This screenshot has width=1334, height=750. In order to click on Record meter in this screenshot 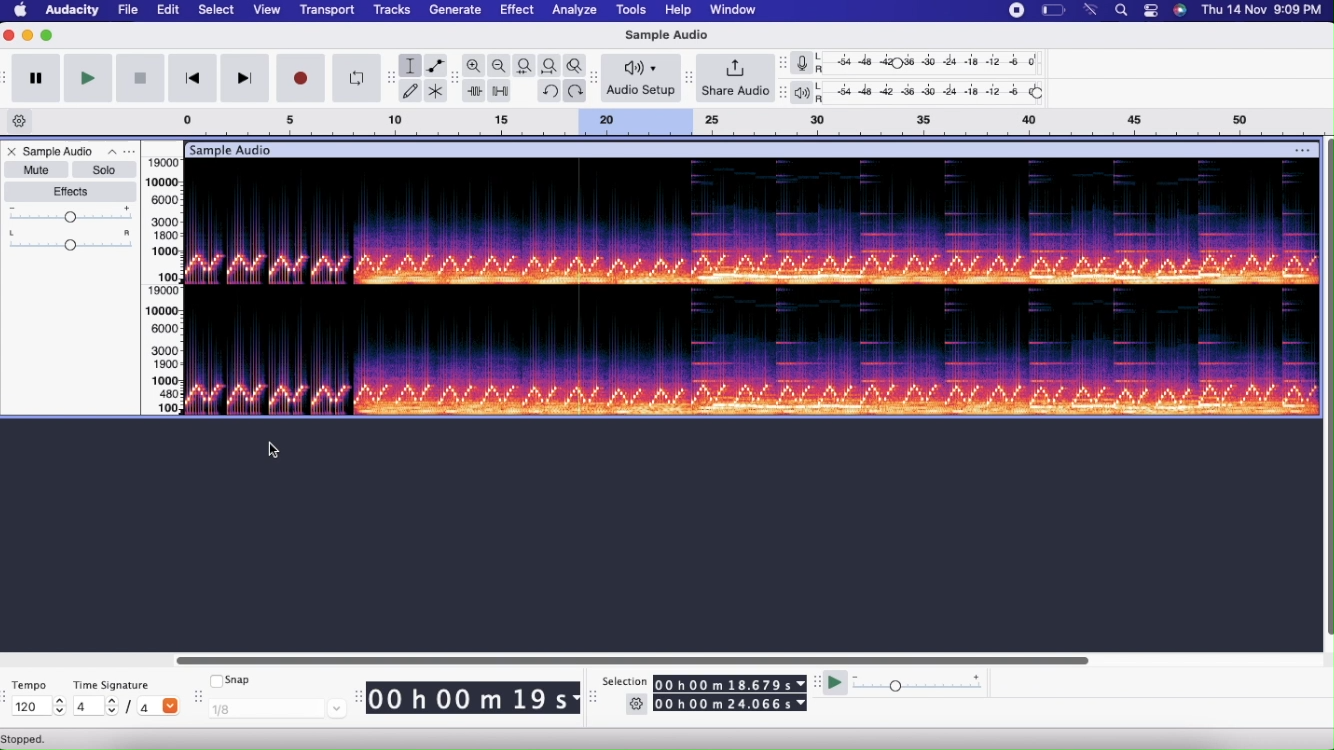, I will do `click(808, 63)`.